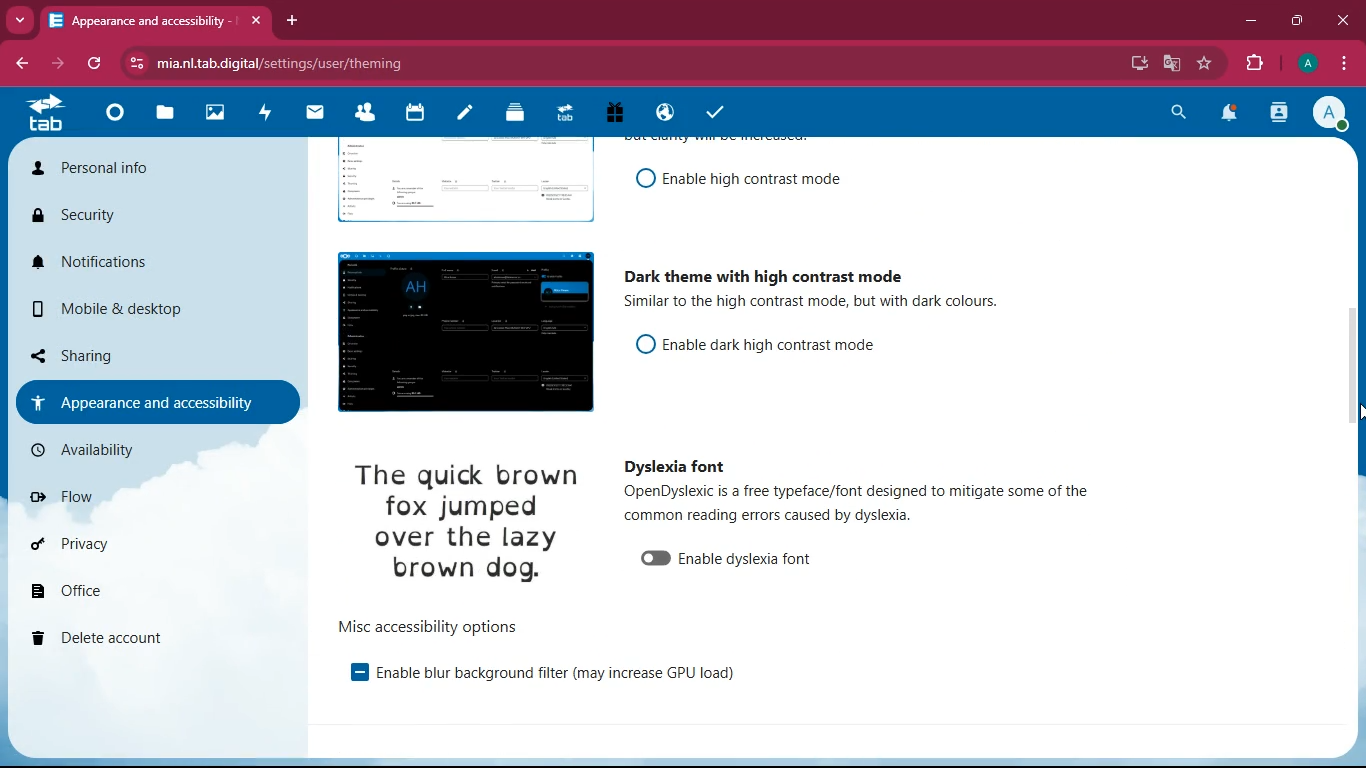 This screenshot has width=1366, height=768. Describe the element at coordinates (366, 116) in the screenshot. I see `friends` at that location.